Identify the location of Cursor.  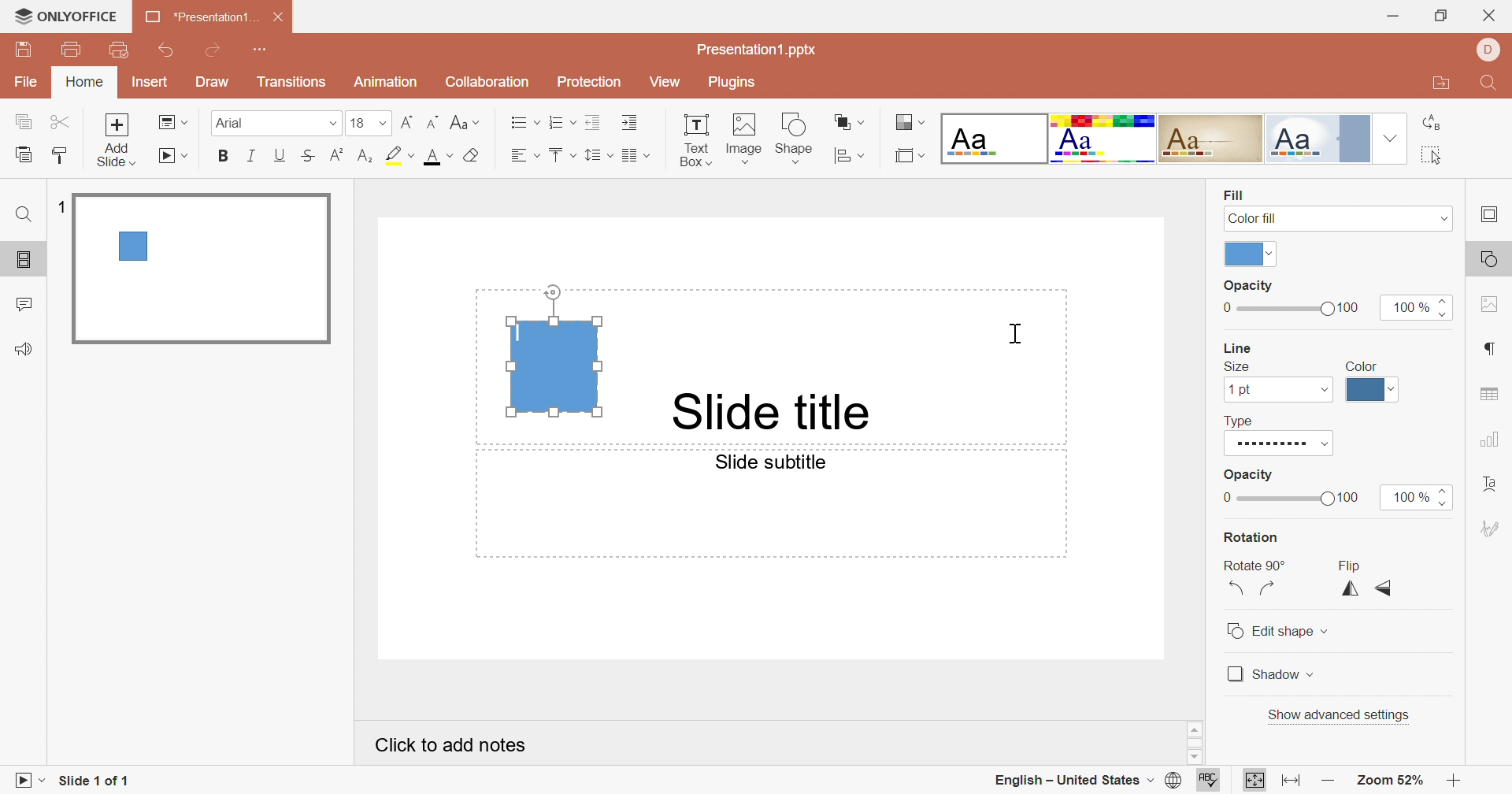
(1016, 333).